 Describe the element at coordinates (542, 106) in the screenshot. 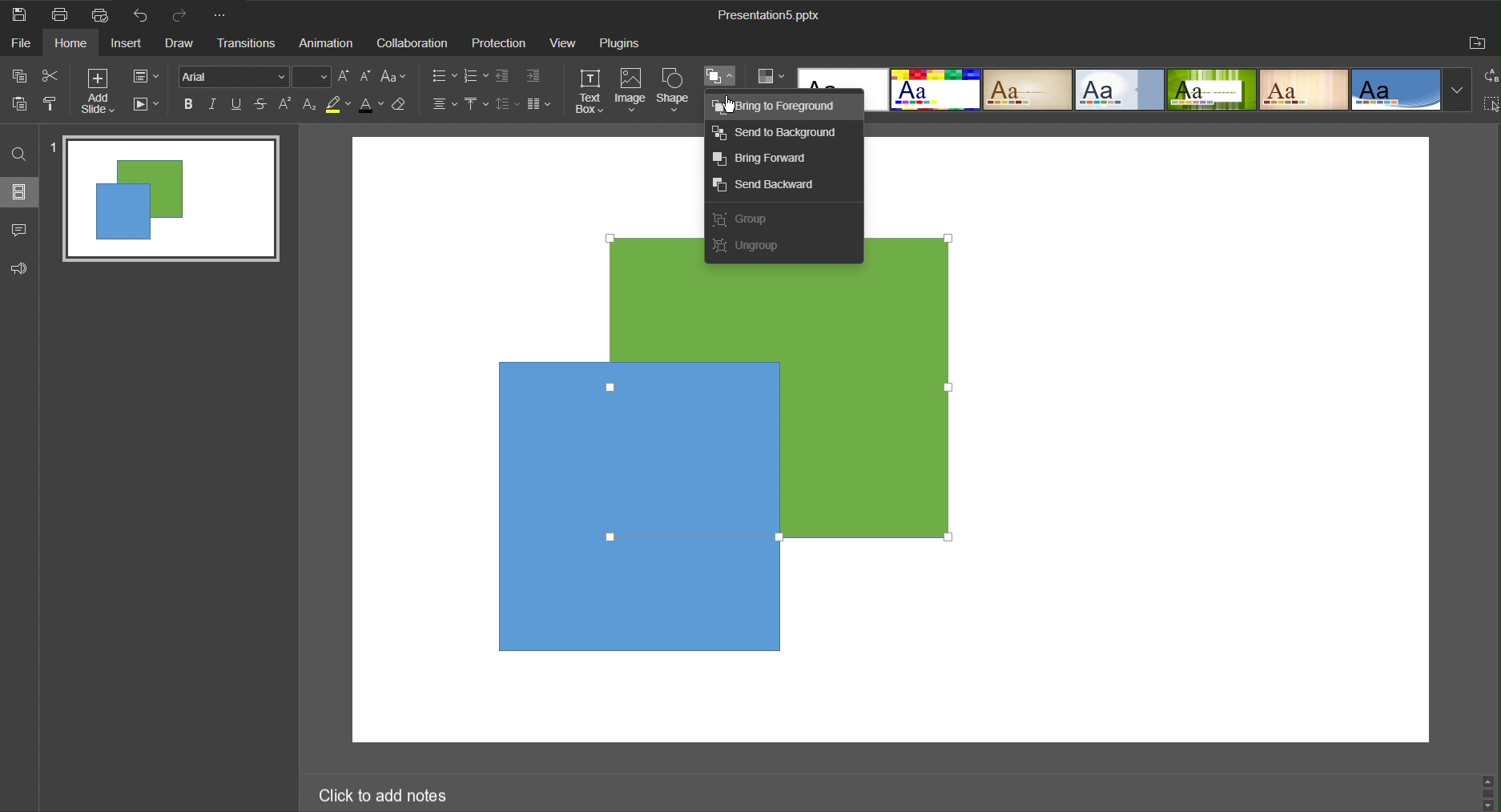

I see `Column` at that location.